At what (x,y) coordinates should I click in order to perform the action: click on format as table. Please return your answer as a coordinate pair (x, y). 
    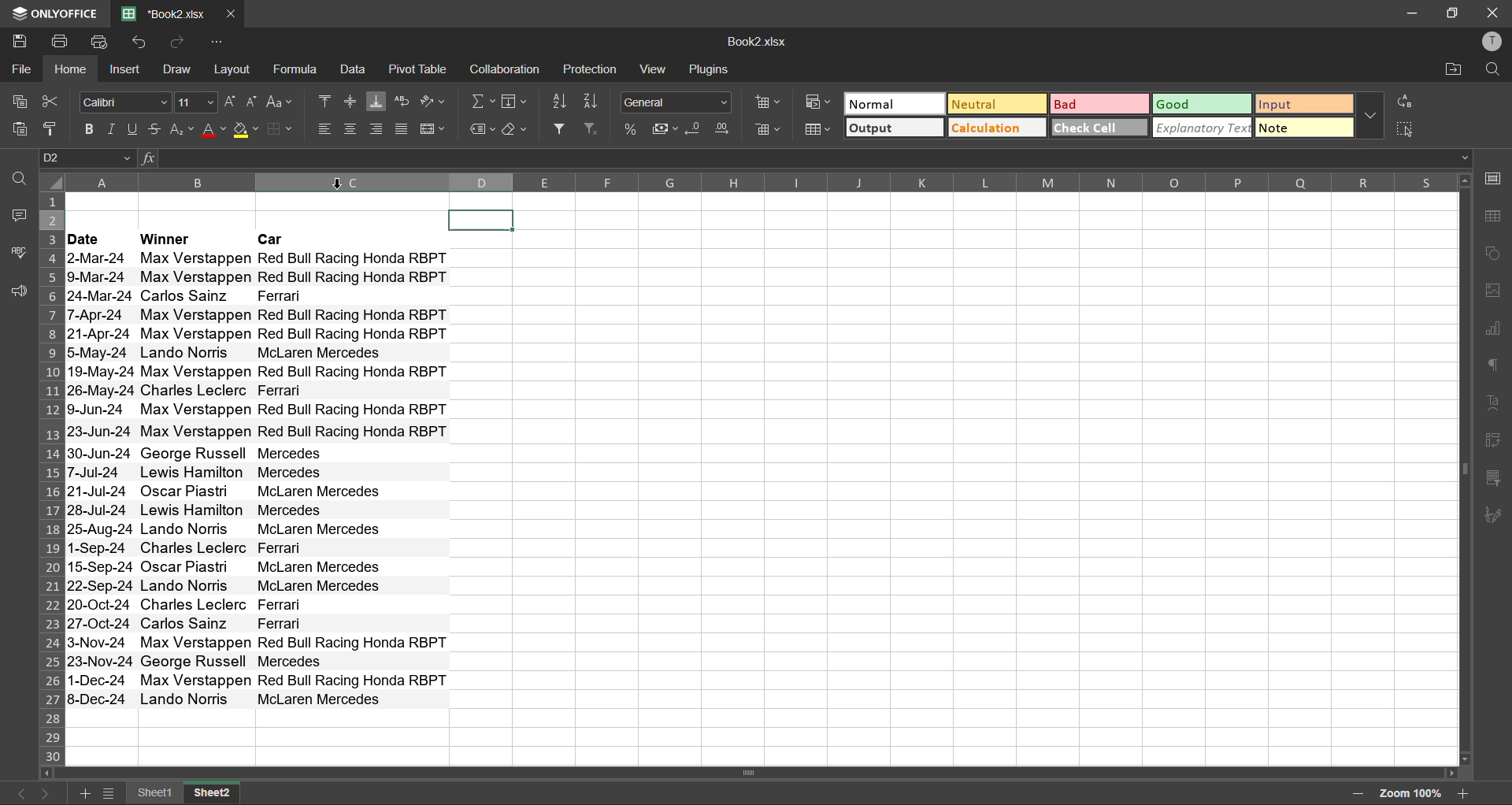
    Looking at the image, I should click on (817, 132).